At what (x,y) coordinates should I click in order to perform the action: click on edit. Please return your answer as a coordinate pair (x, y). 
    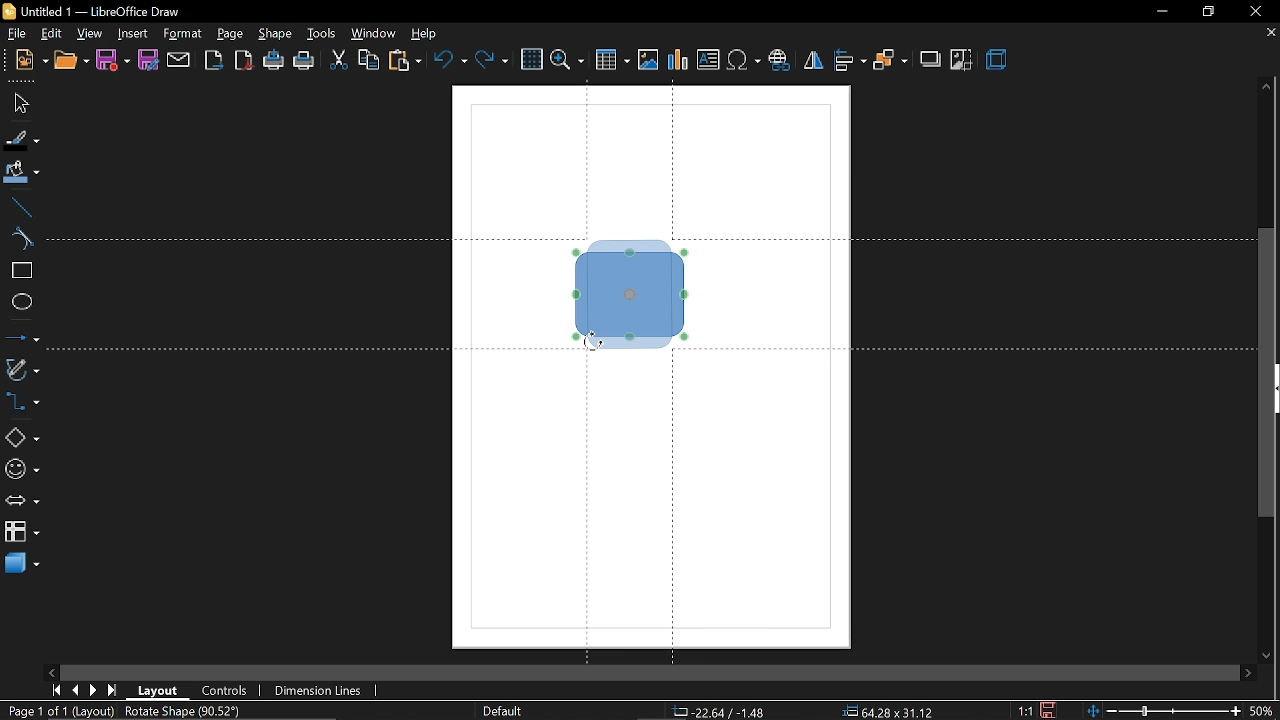
    Looking at the image, I should click on (52, 34).